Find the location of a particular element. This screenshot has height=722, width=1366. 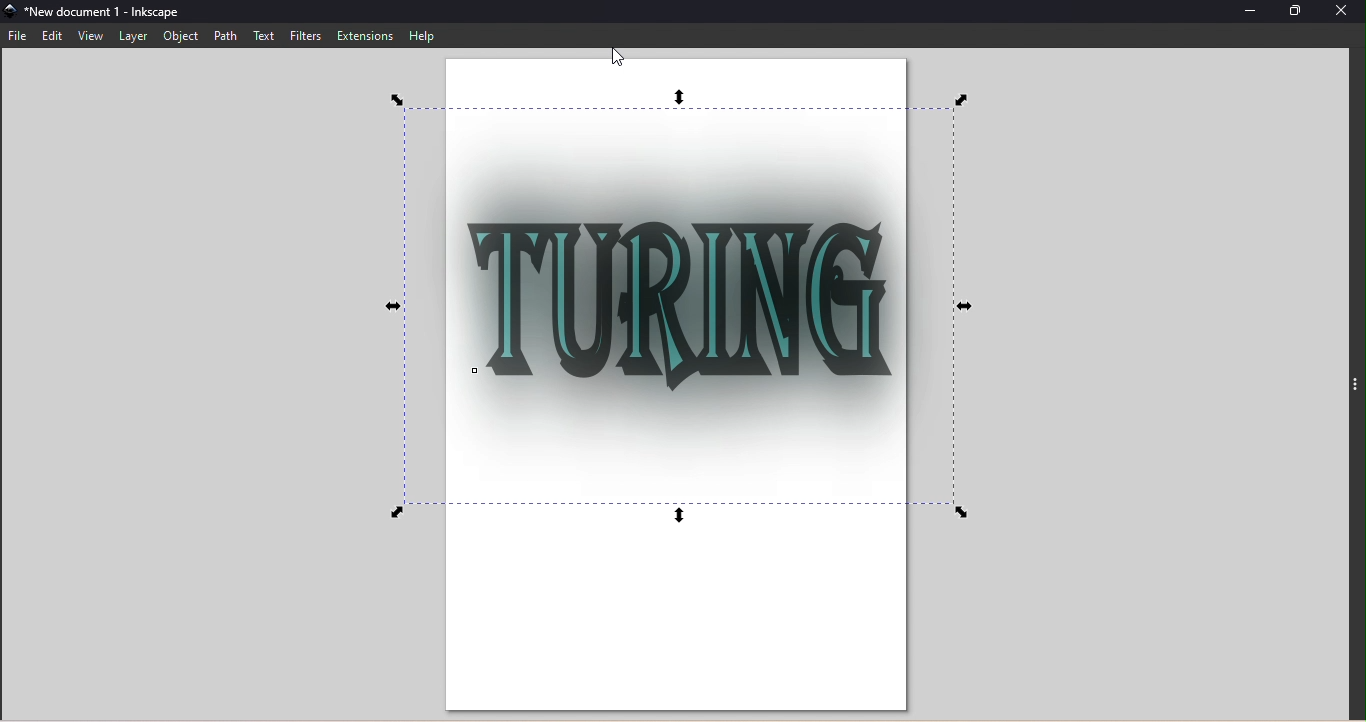

Extensions is located at coordinates (366, 35).